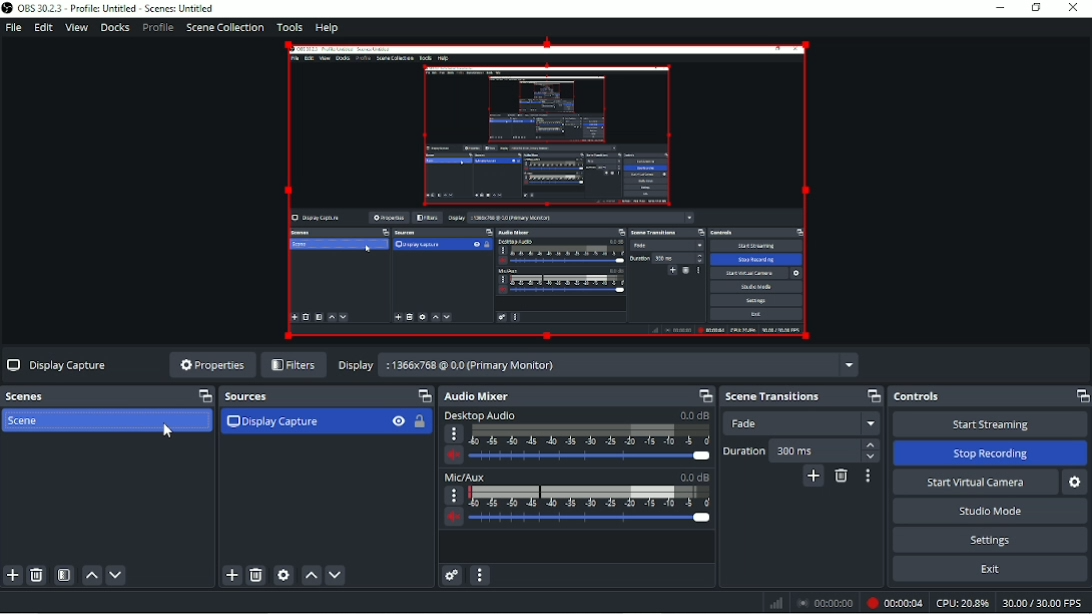 This screenshot has height=614, width=1092. What do you see at coordinates (42, 28) in the screenshot?
I see `Edit` at bounding box center [42, 28].